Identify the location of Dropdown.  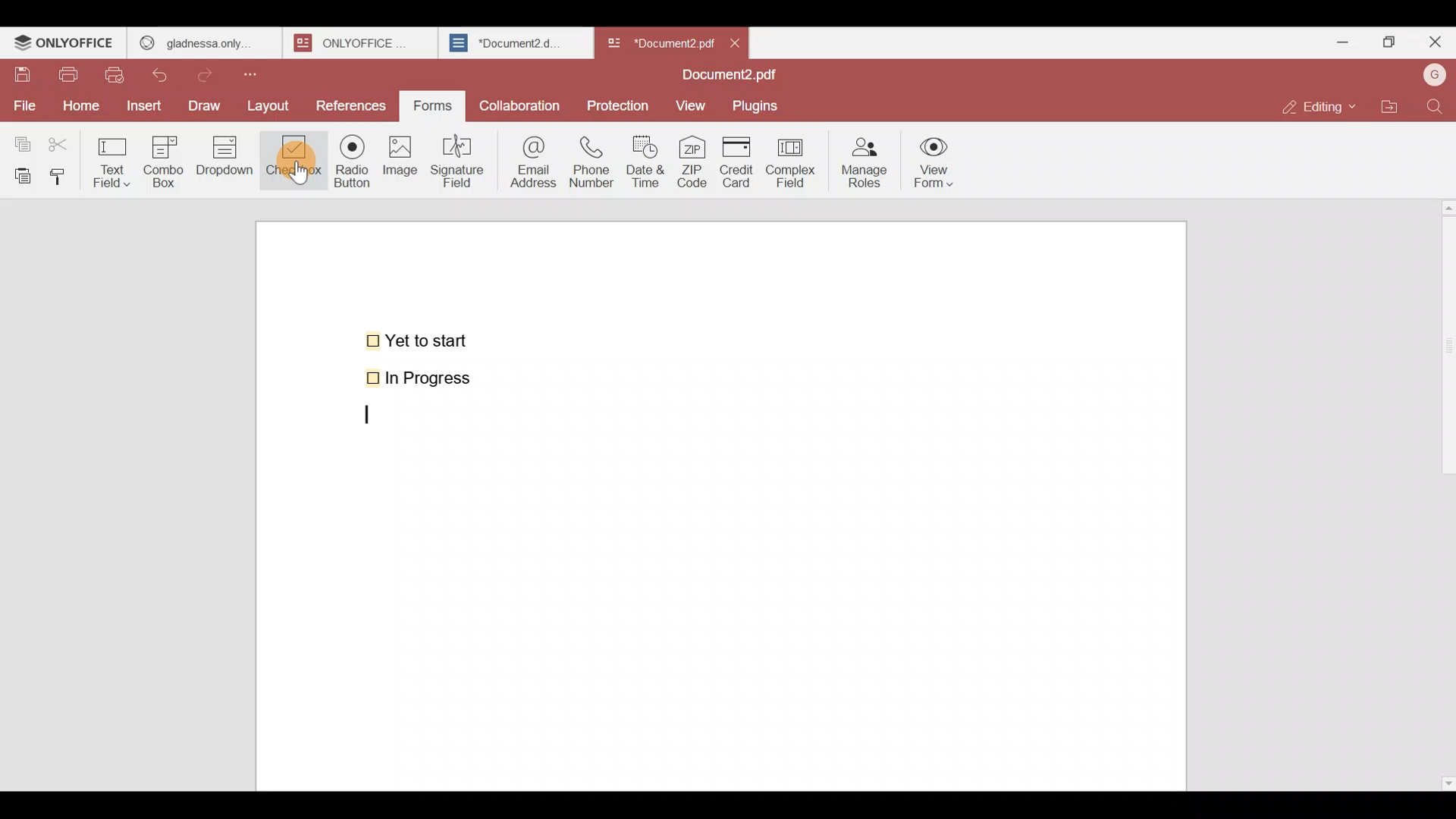
(227, 162).